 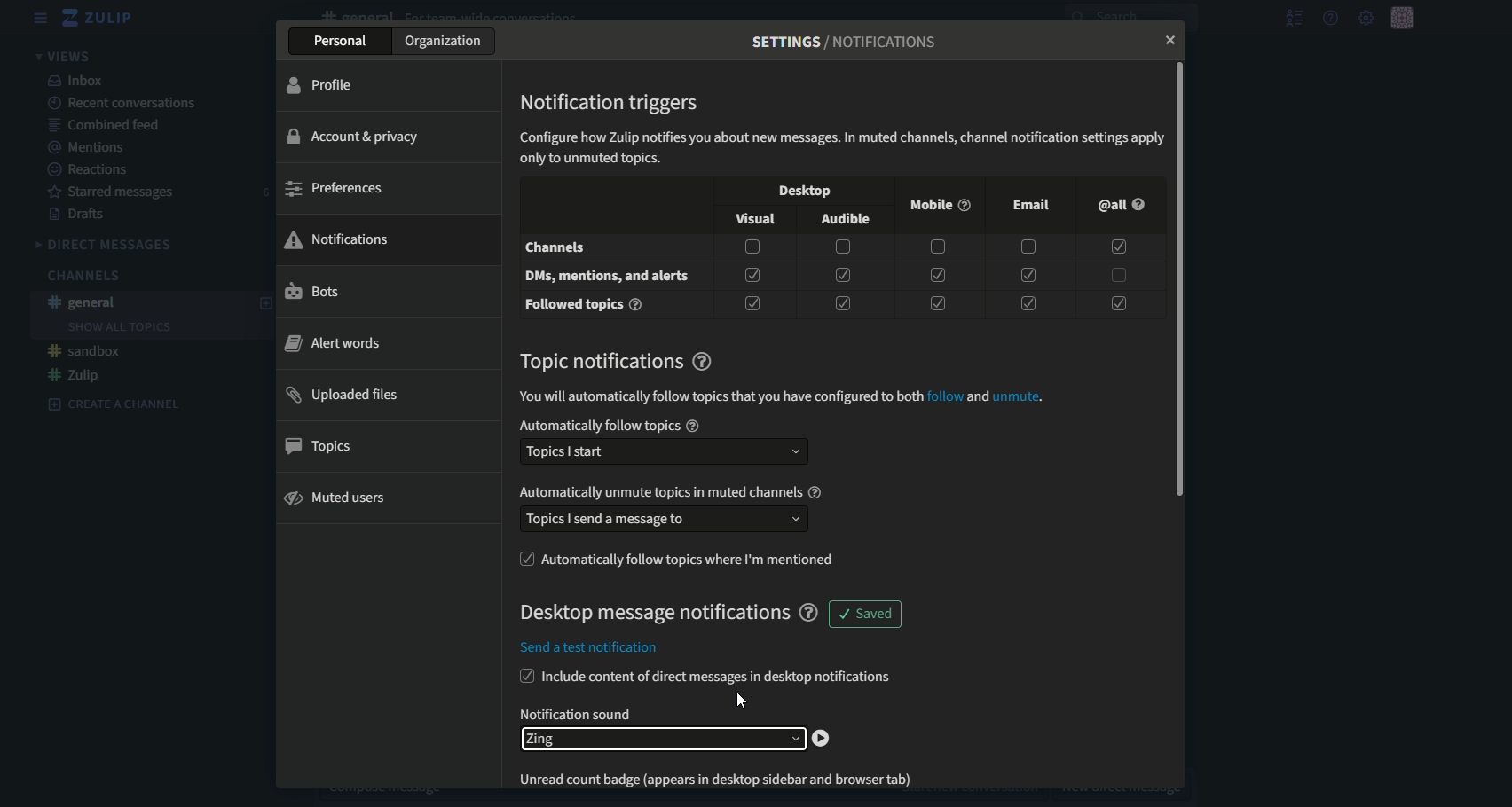 I want to click on Direct messages, so click(x=106, y=245).